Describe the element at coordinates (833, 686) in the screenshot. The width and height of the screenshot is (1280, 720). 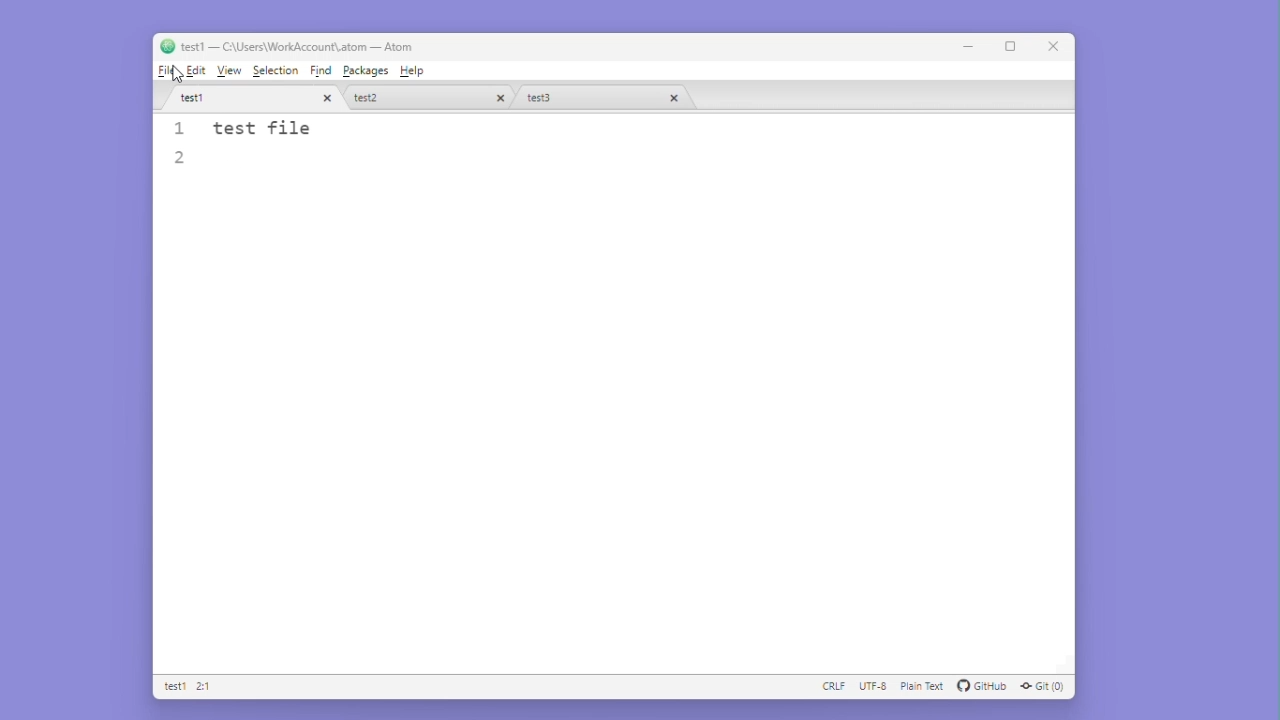
I see `CRLF` at that location.